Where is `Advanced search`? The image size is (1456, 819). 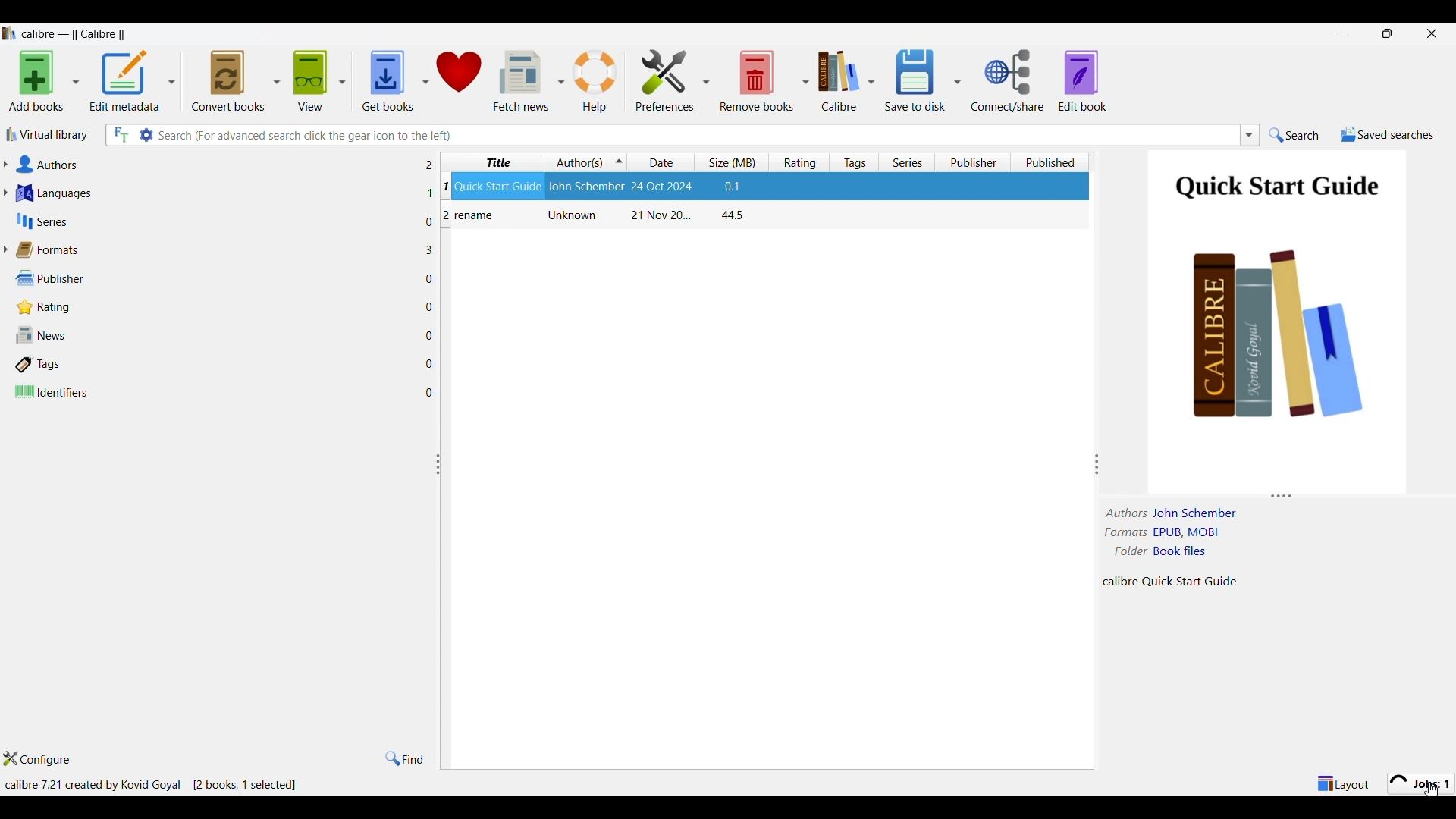 Advanced search is located at coordinates (145, 135).